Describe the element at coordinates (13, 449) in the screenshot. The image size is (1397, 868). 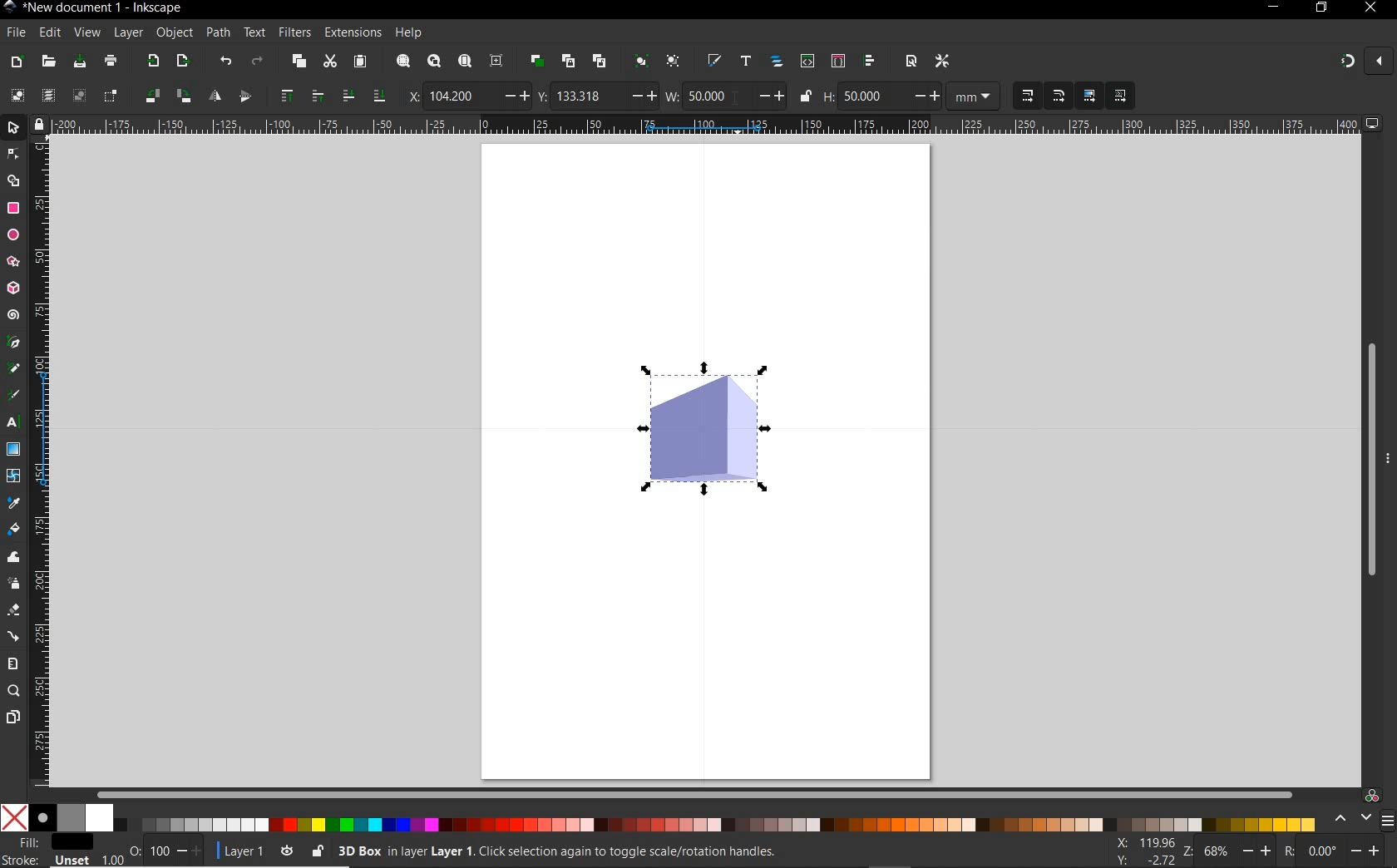
I see `gradient tool` at that location.